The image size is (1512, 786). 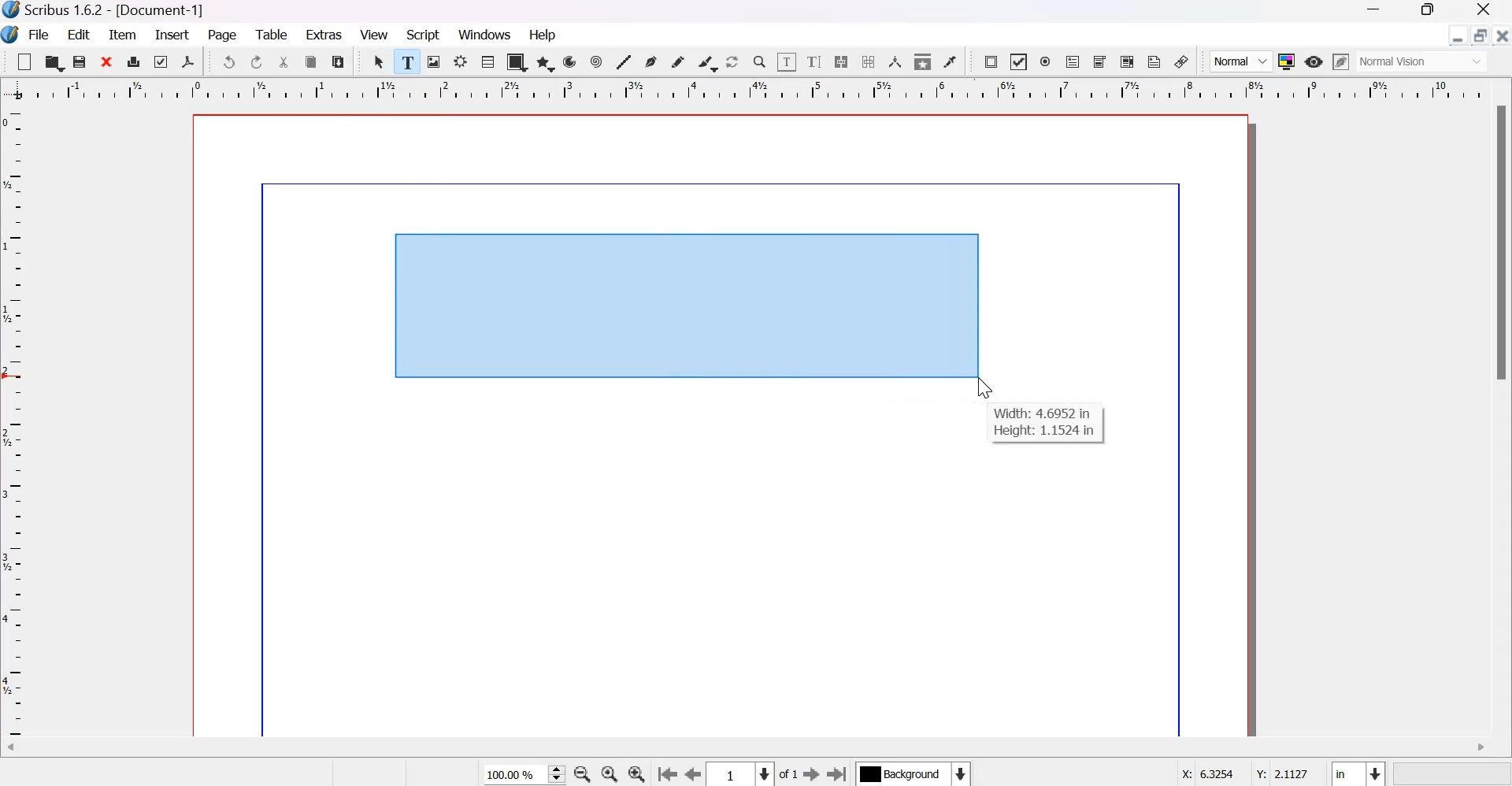 I want to click on image render, so click(x=435, y=61).